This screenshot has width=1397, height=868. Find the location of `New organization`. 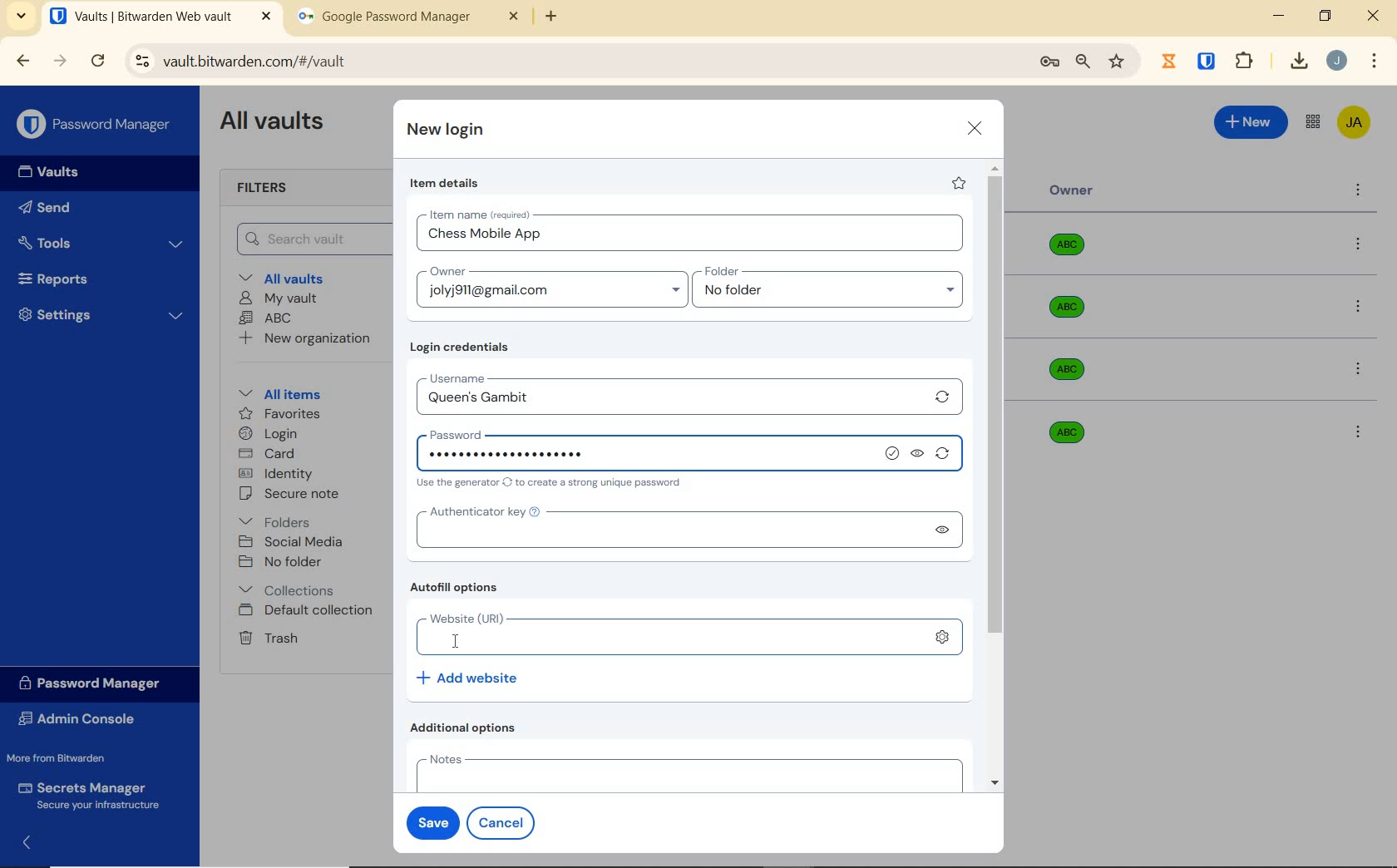

New organization is located at coordinates (303, 338).